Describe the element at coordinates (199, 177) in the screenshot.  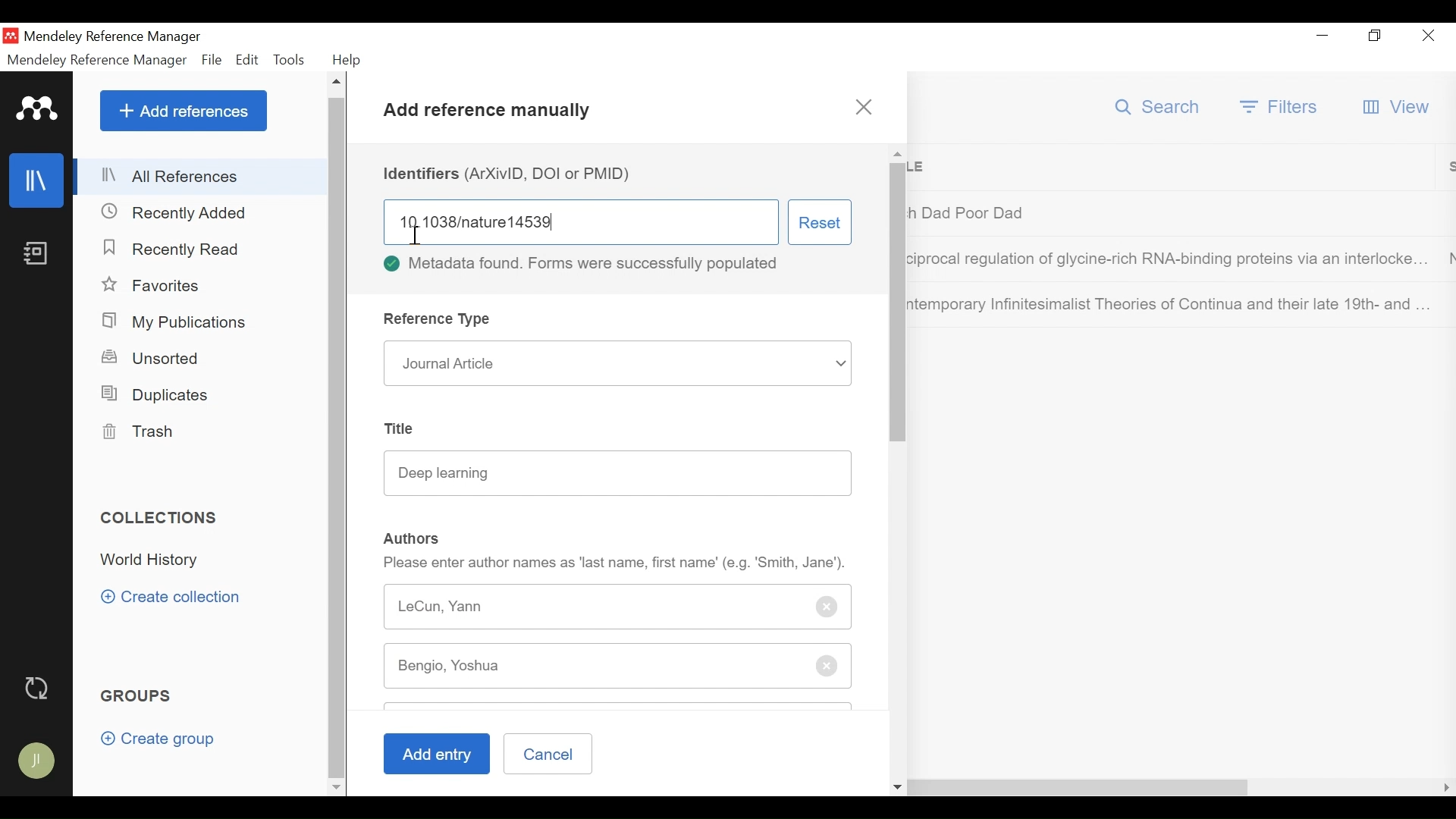
I see `All References` at that location.